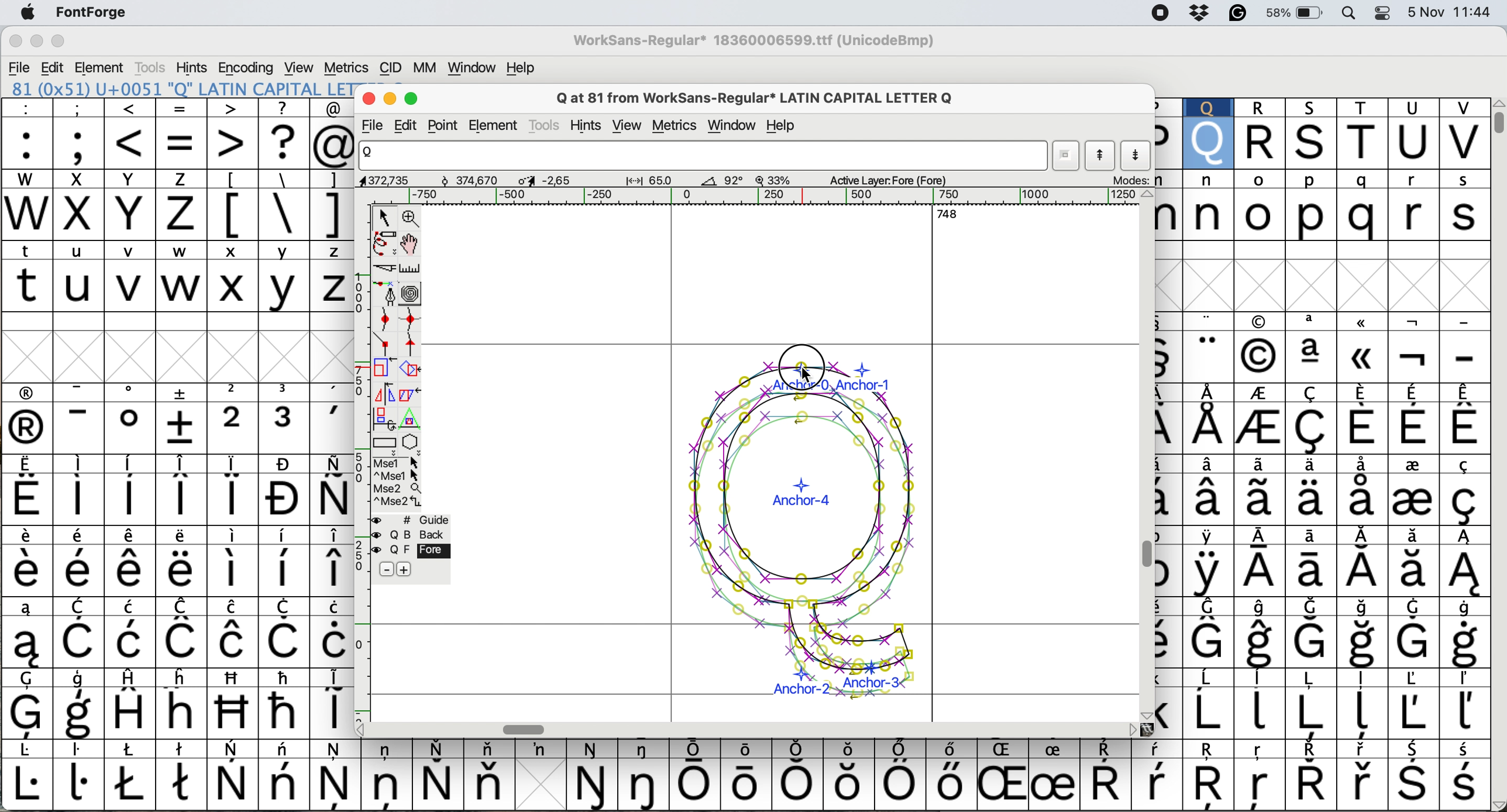  I want to click on horizontal scroll bar, so click(527, 728).